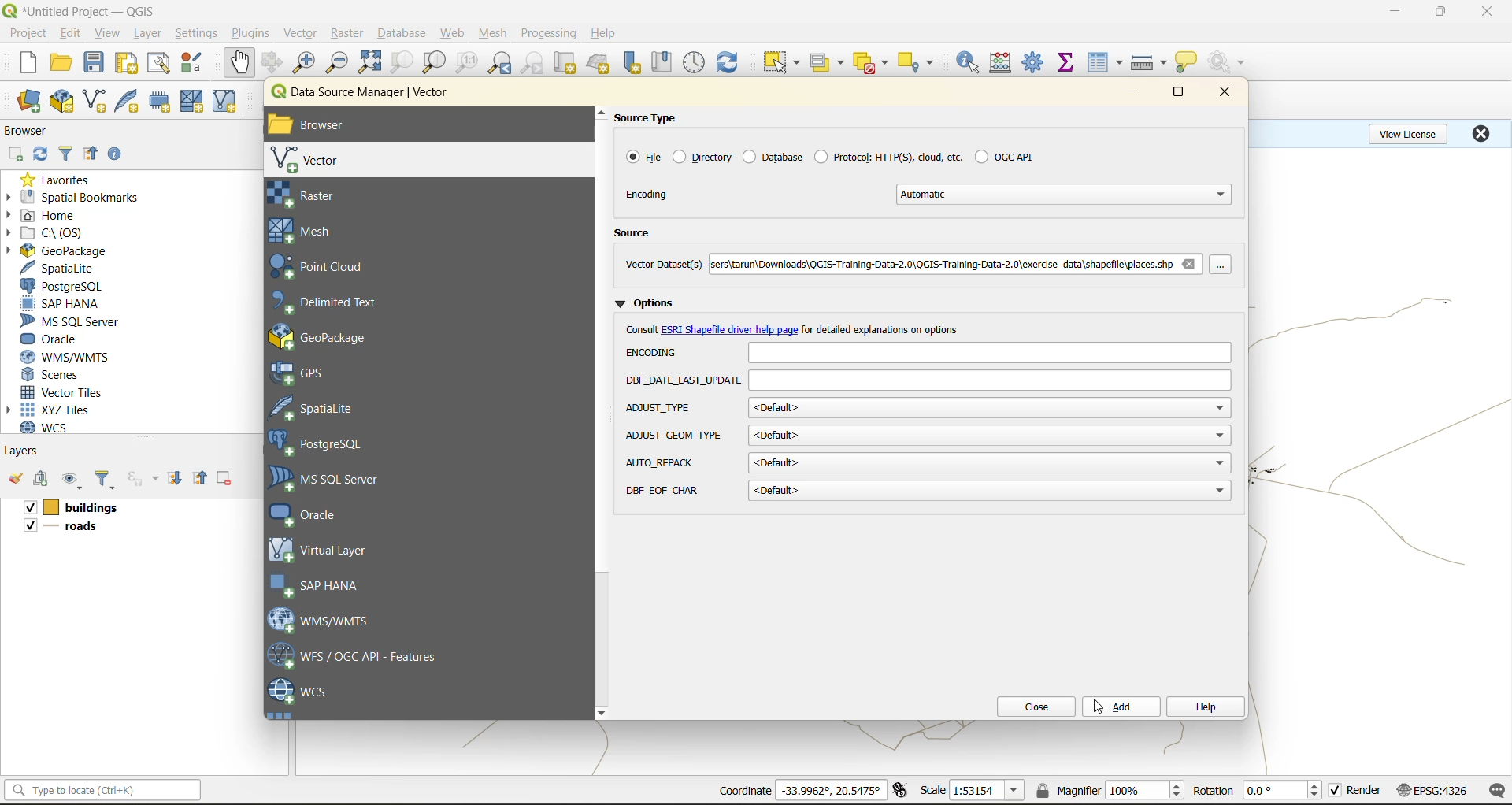  Describe the element at coordinates (316, 160) in the screenshot. I see `vector` at that location.